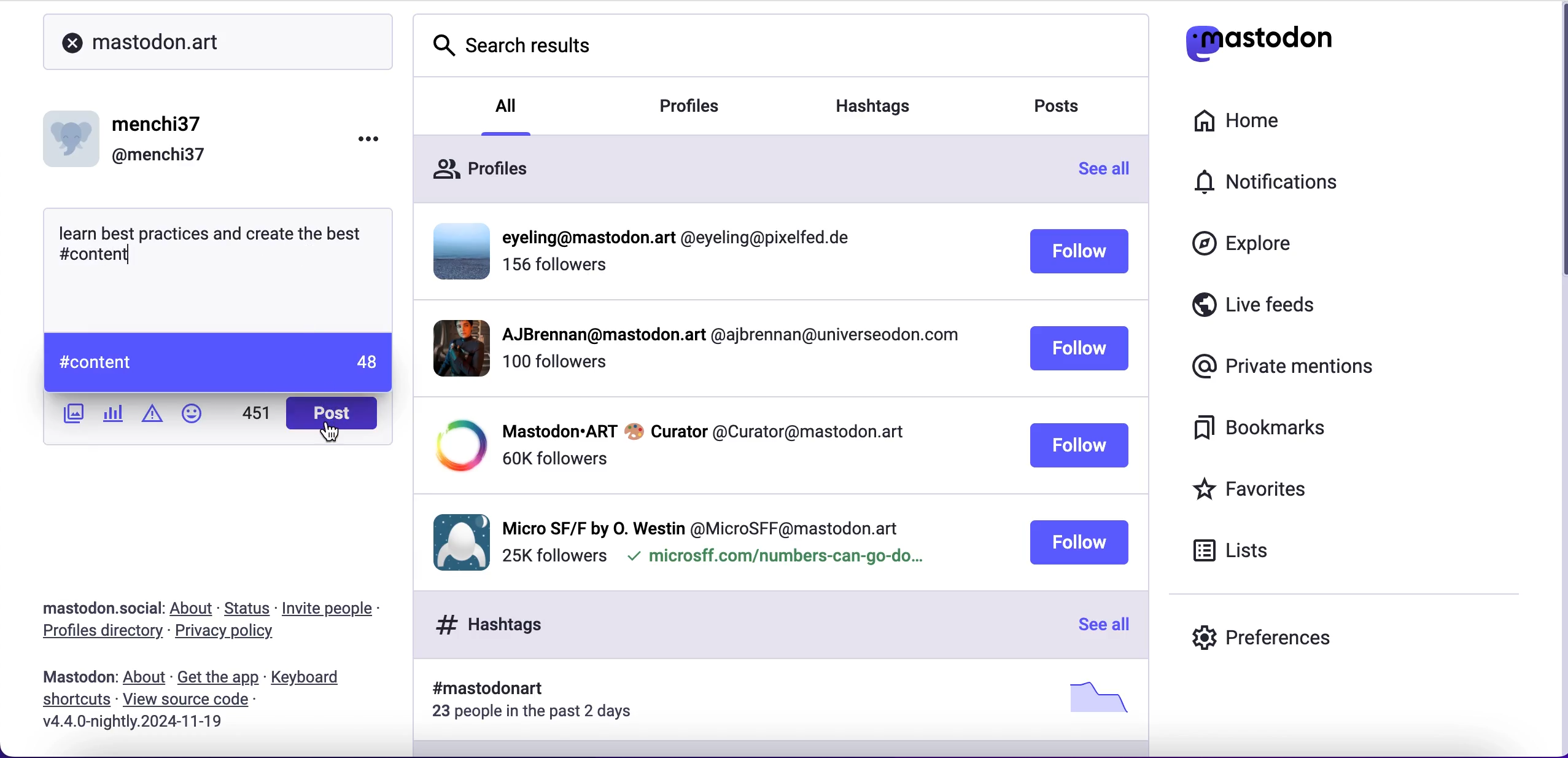  What do you see at coordinates (166, 726) in the screenshot?
I see `2024-11-19` at bounding box center [166, 726].